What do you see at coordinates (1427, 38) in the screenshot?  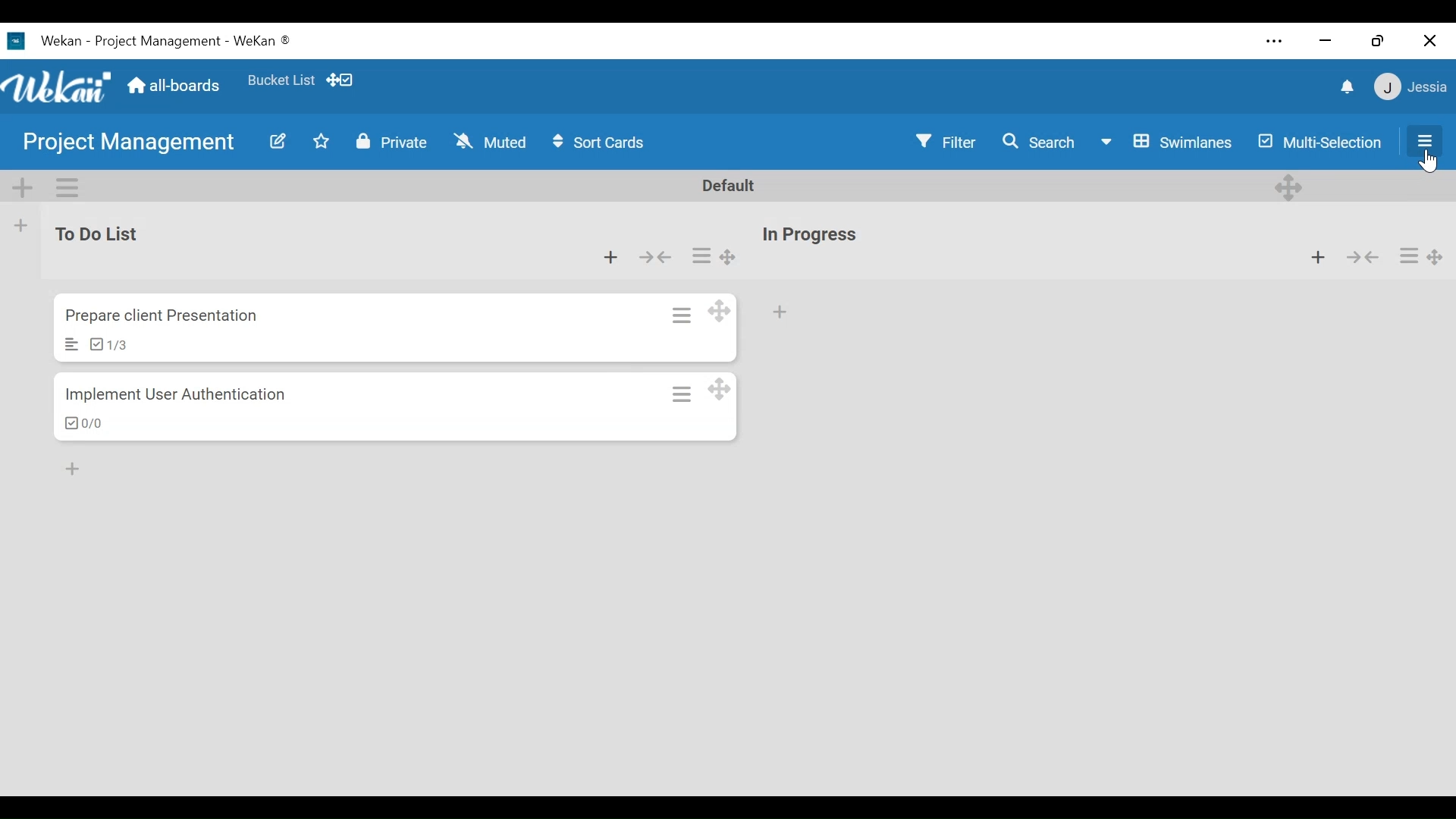 I see `close` at bounding box center [1427, 38].